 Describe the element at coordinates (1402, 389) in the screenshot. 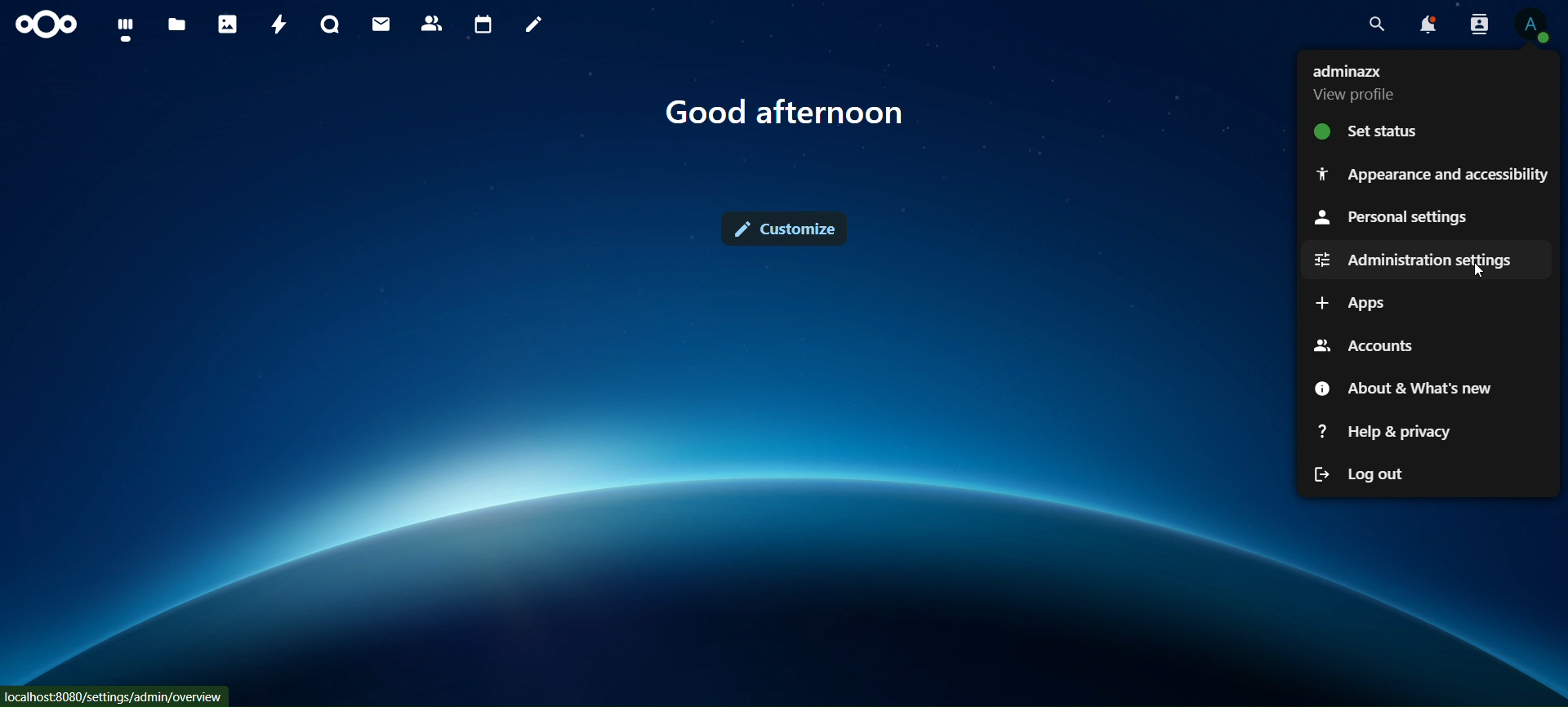

I see `about & what's new` at that location.